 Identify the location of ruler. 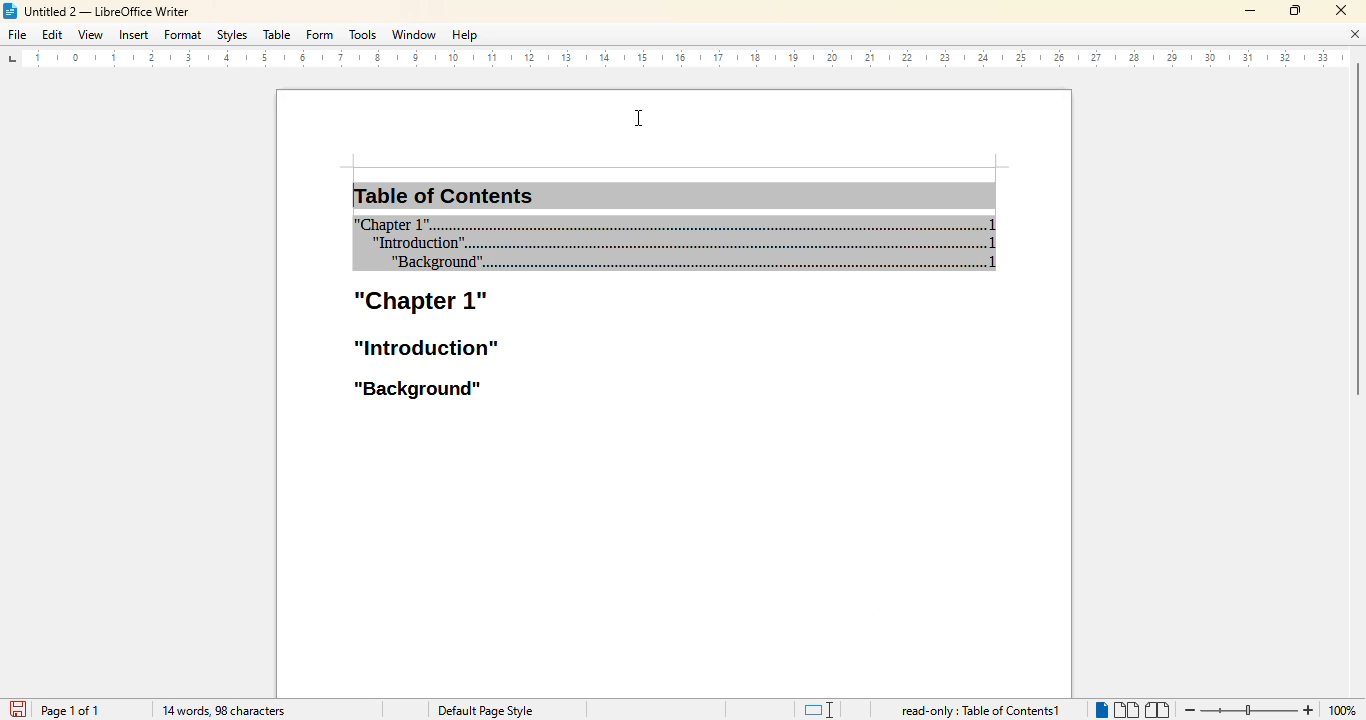
(669, 59).